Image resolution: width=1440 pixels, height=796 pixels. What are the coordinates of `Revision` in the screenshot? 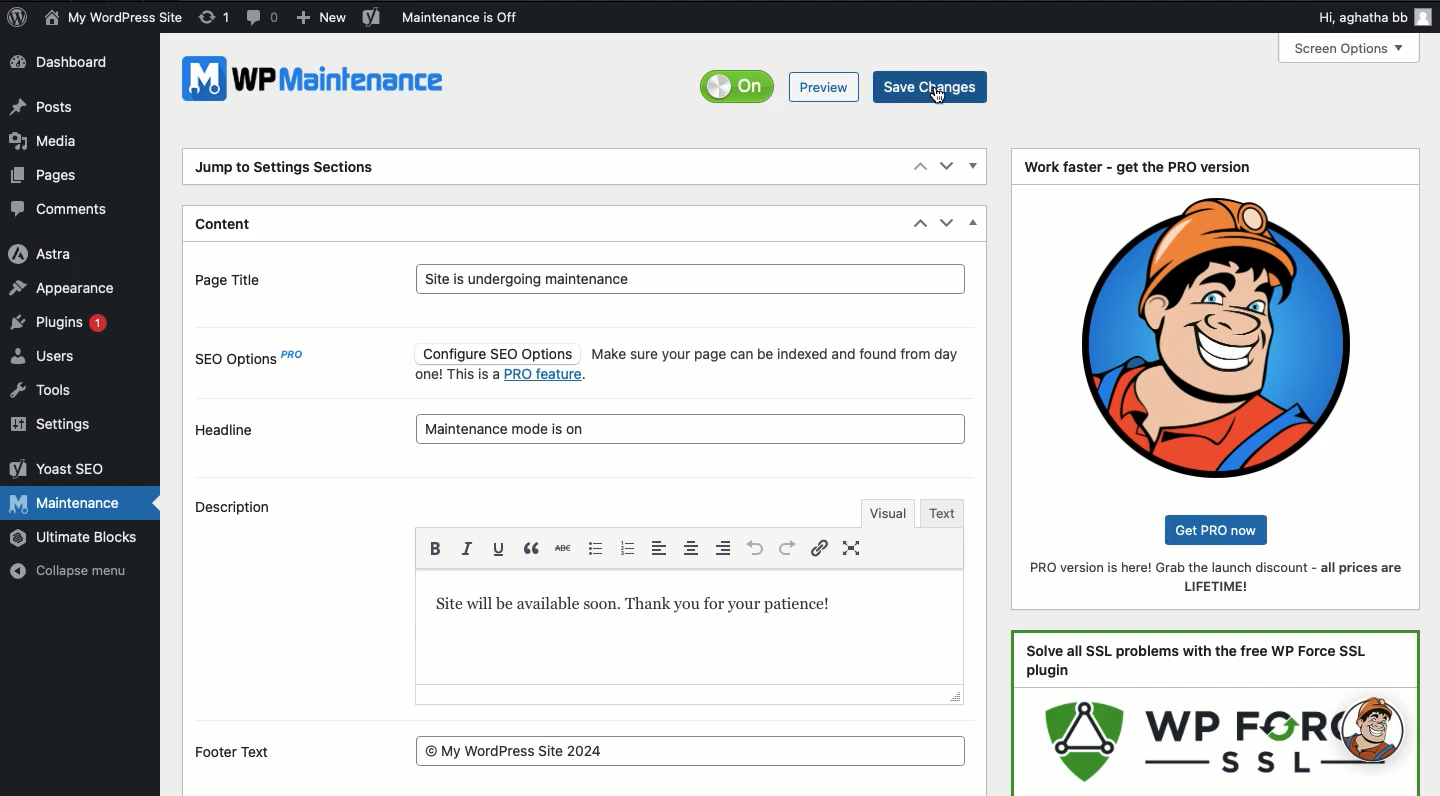 It's located at (214, 18).